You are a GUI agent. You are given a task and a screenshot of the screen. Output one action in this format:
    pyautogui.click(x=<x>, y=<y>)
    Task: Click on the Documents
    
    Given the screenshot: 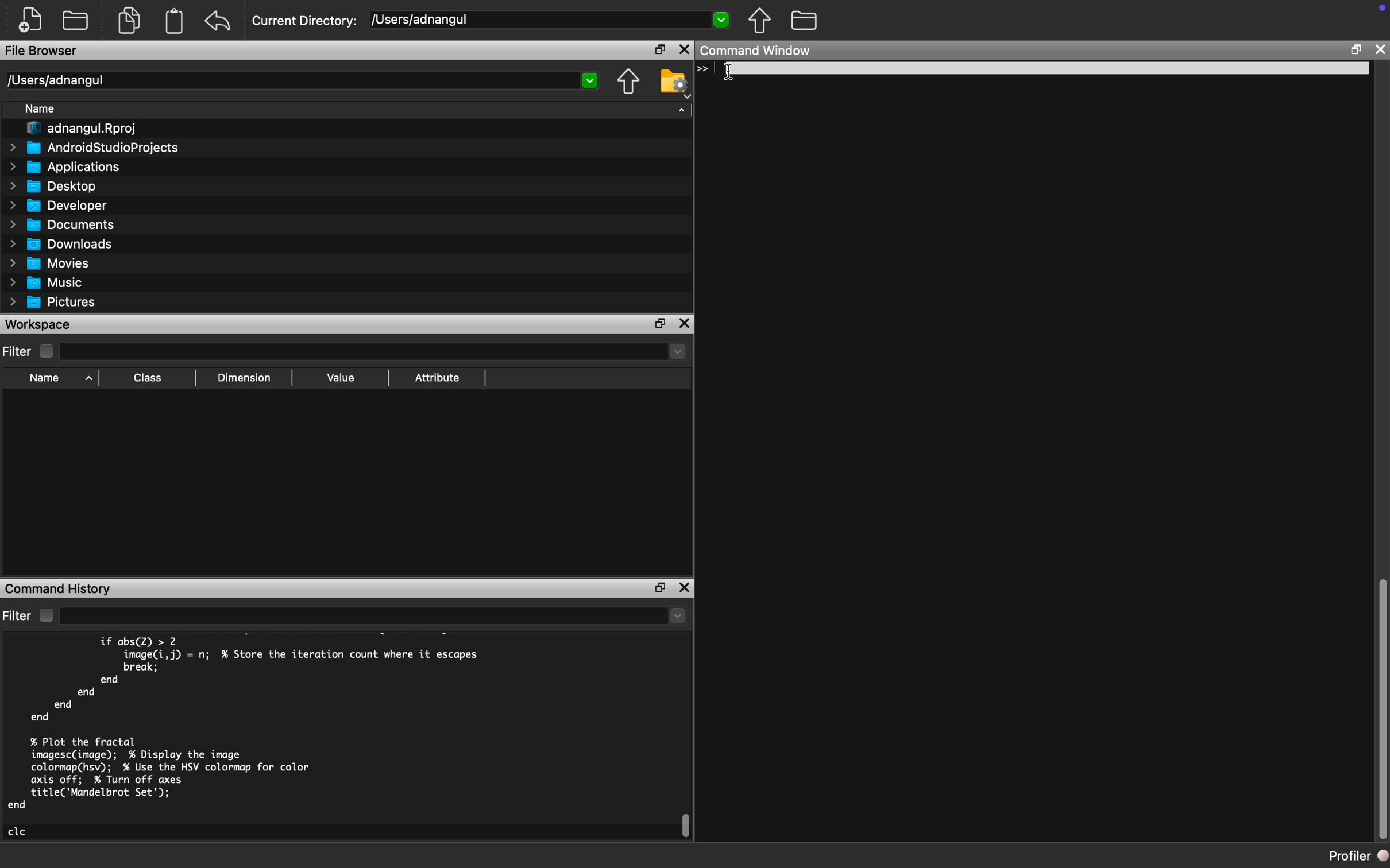 What is the action you would take?
    pyautogui.click(x=63, y=226)
    